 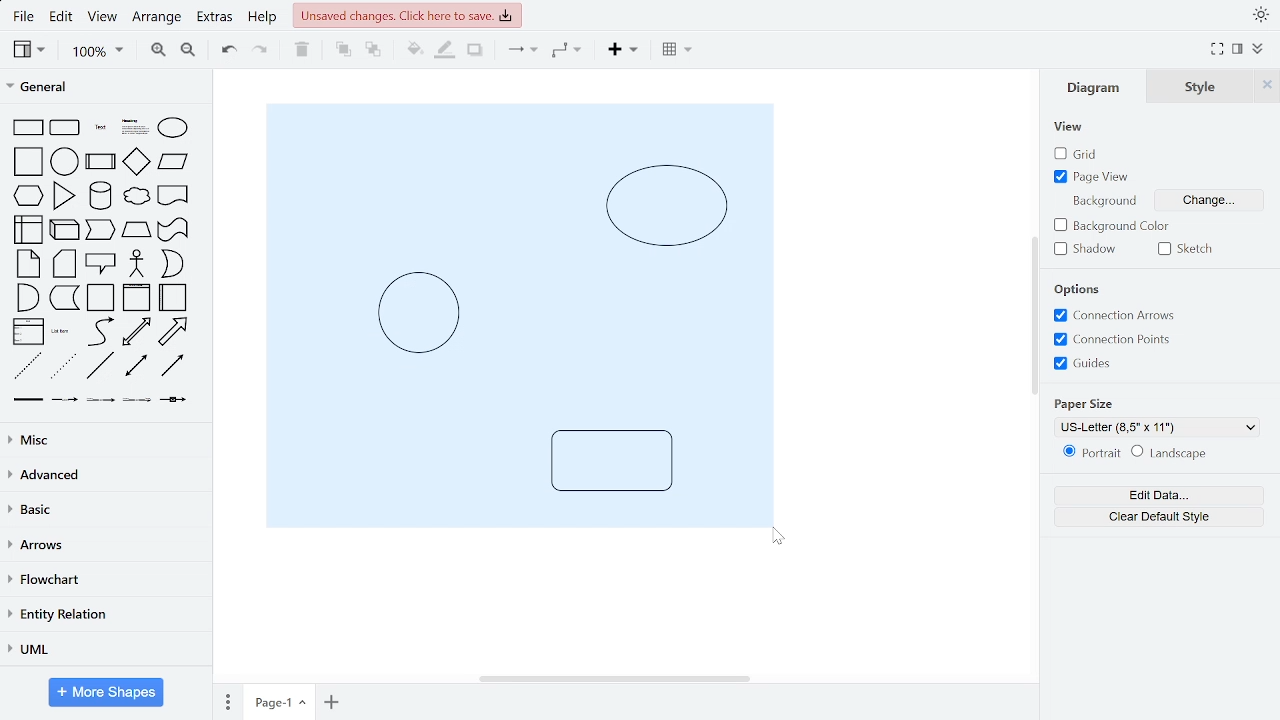 What do you see at coordinates (1114, 340) in the screenshot?
I see `guides` at bounding box center [1114, 340].